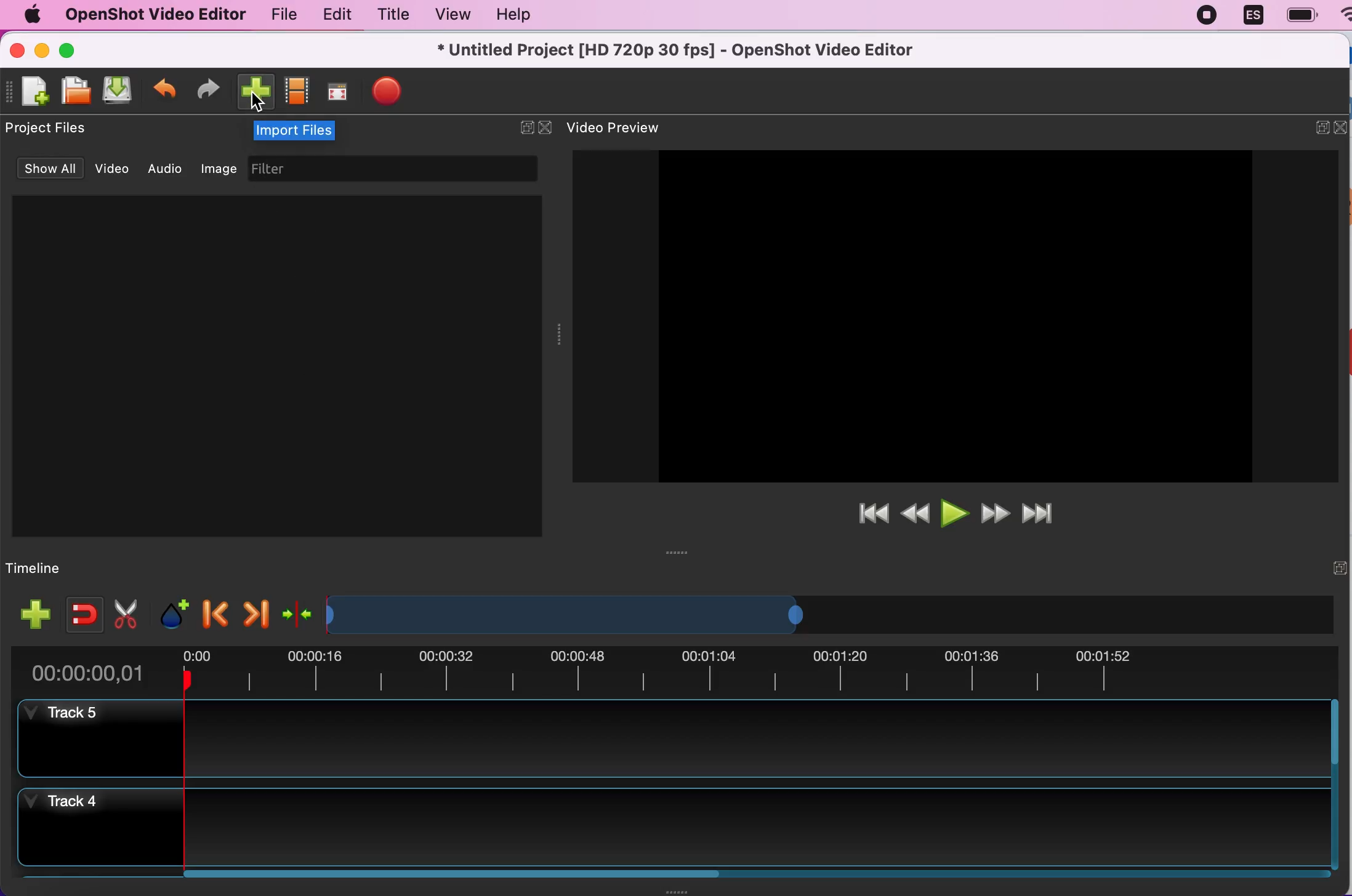  I want to click on edit, so click(336, 14).